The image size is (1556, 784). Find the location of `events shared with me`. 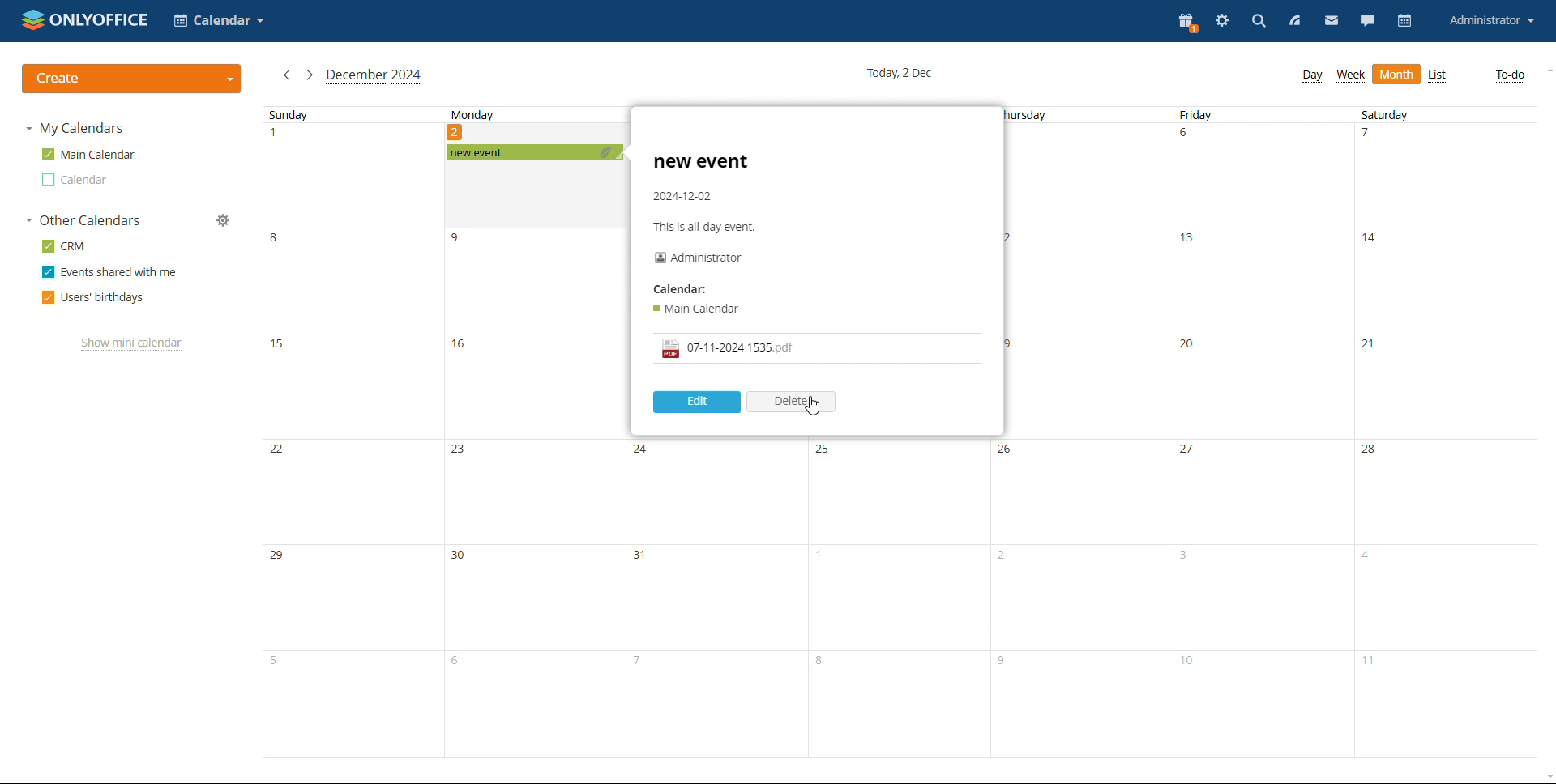

events shared with me is located at coordinates (110, 271).